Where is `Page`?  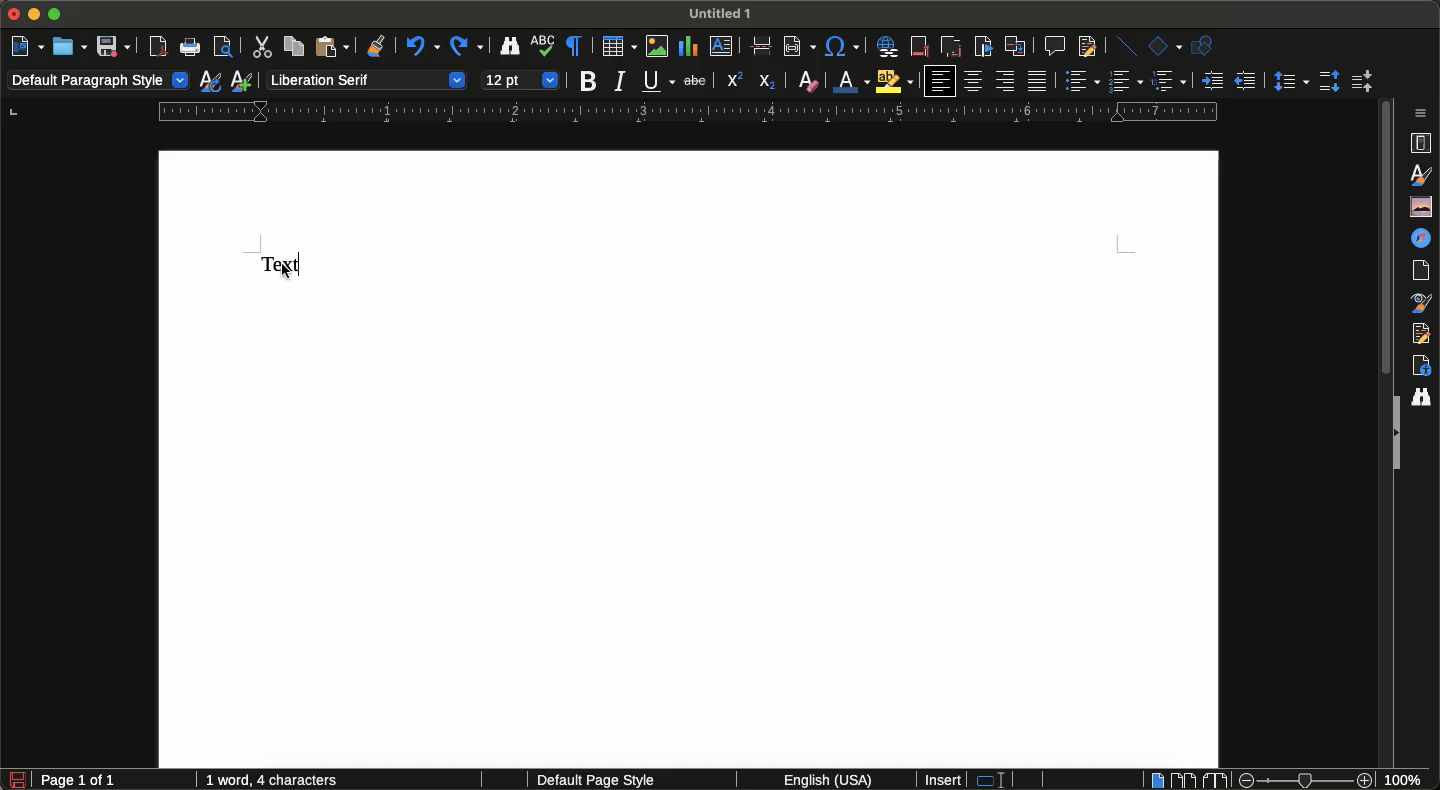 Page is located at coordinates (1425, 271).